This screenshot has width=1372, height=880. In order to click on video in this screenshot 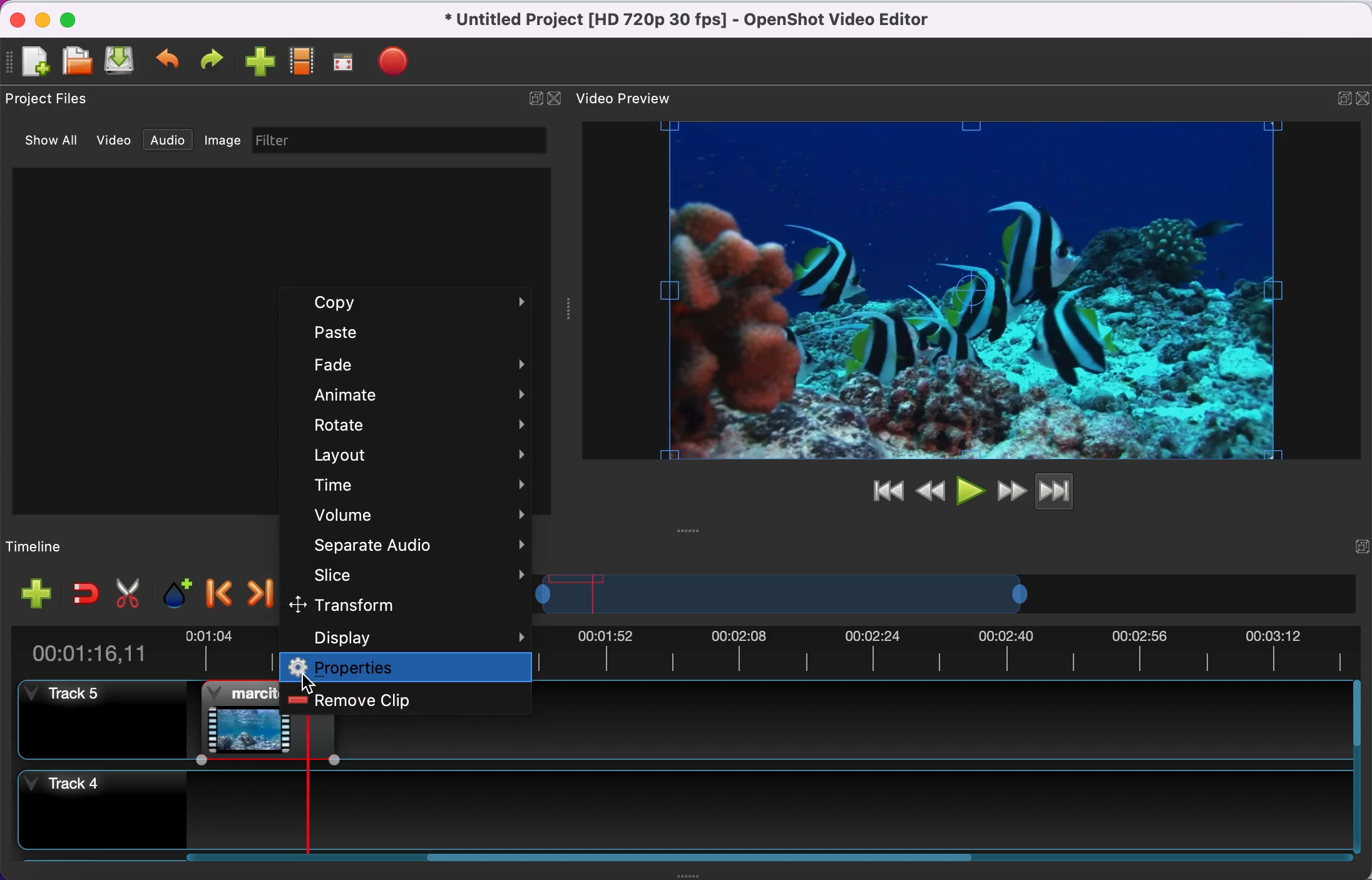, I will do `click(108, 139)`.